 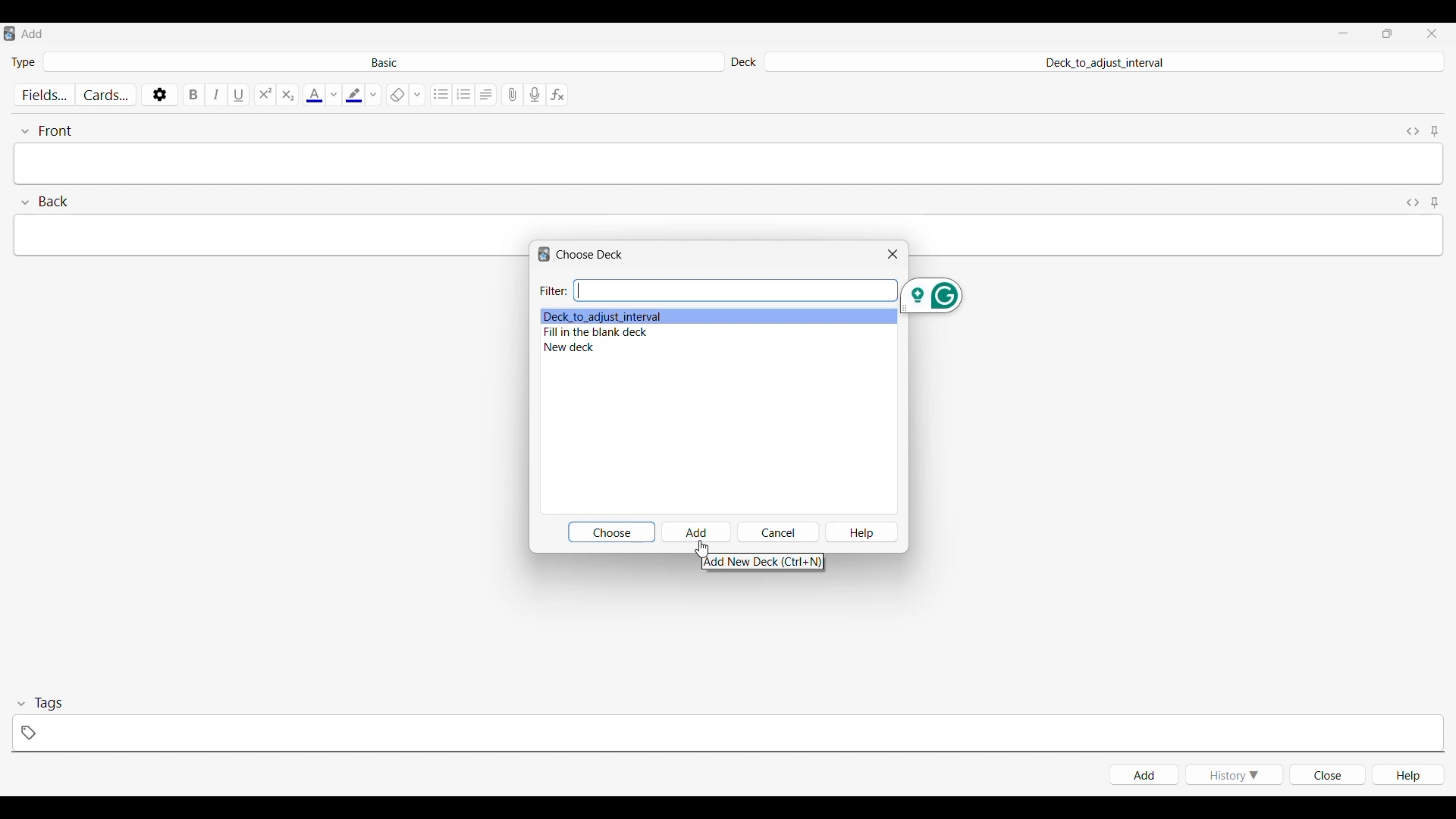 What do you see at coordinates (727, 733) in the screenshot?
I see `Click to type in tags` at bounding box center [727, 733].